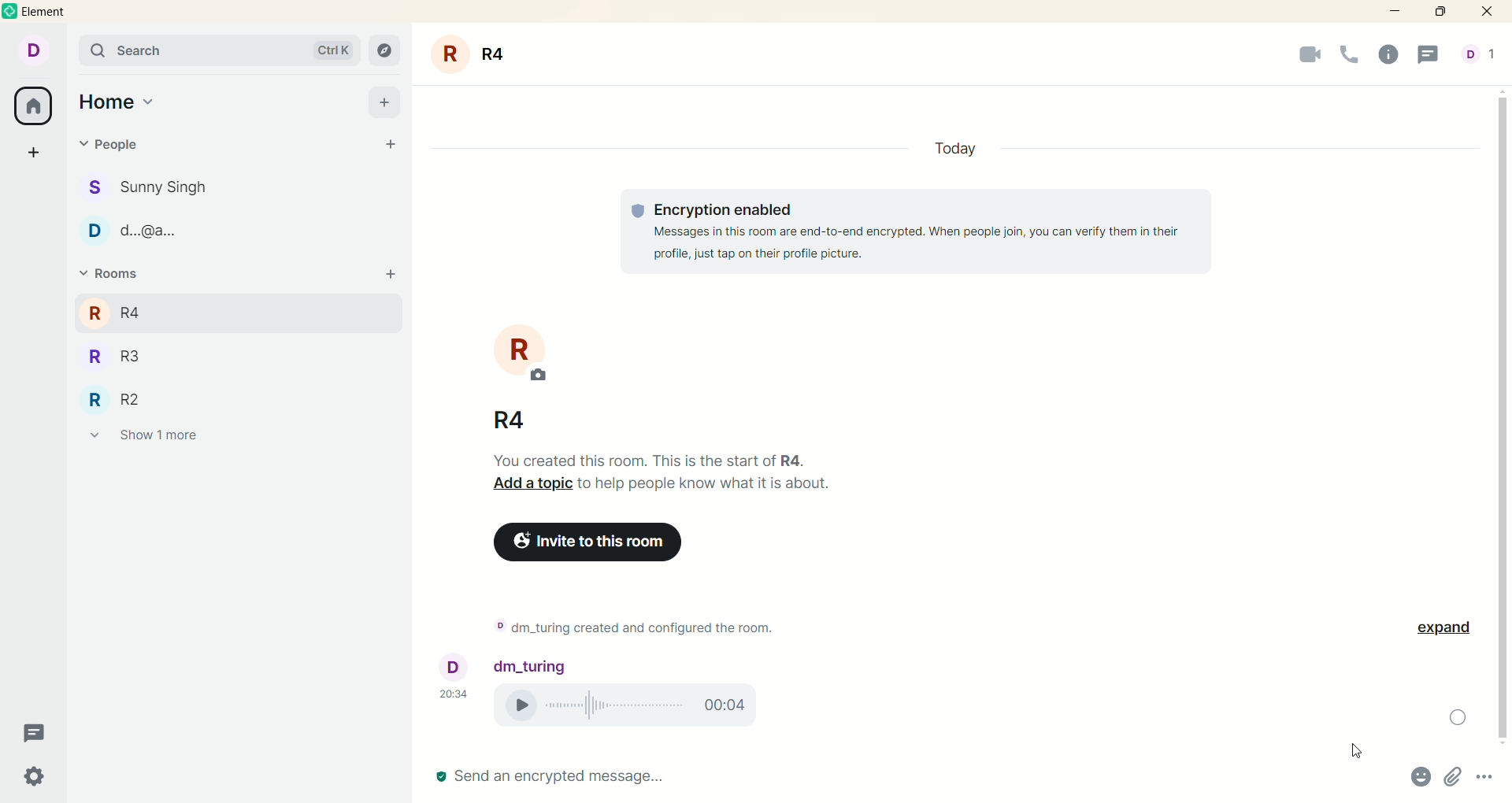  What do you see at coordinates (678, 481) in the screenshot?
I see `text` at bounding box center [678, 481].